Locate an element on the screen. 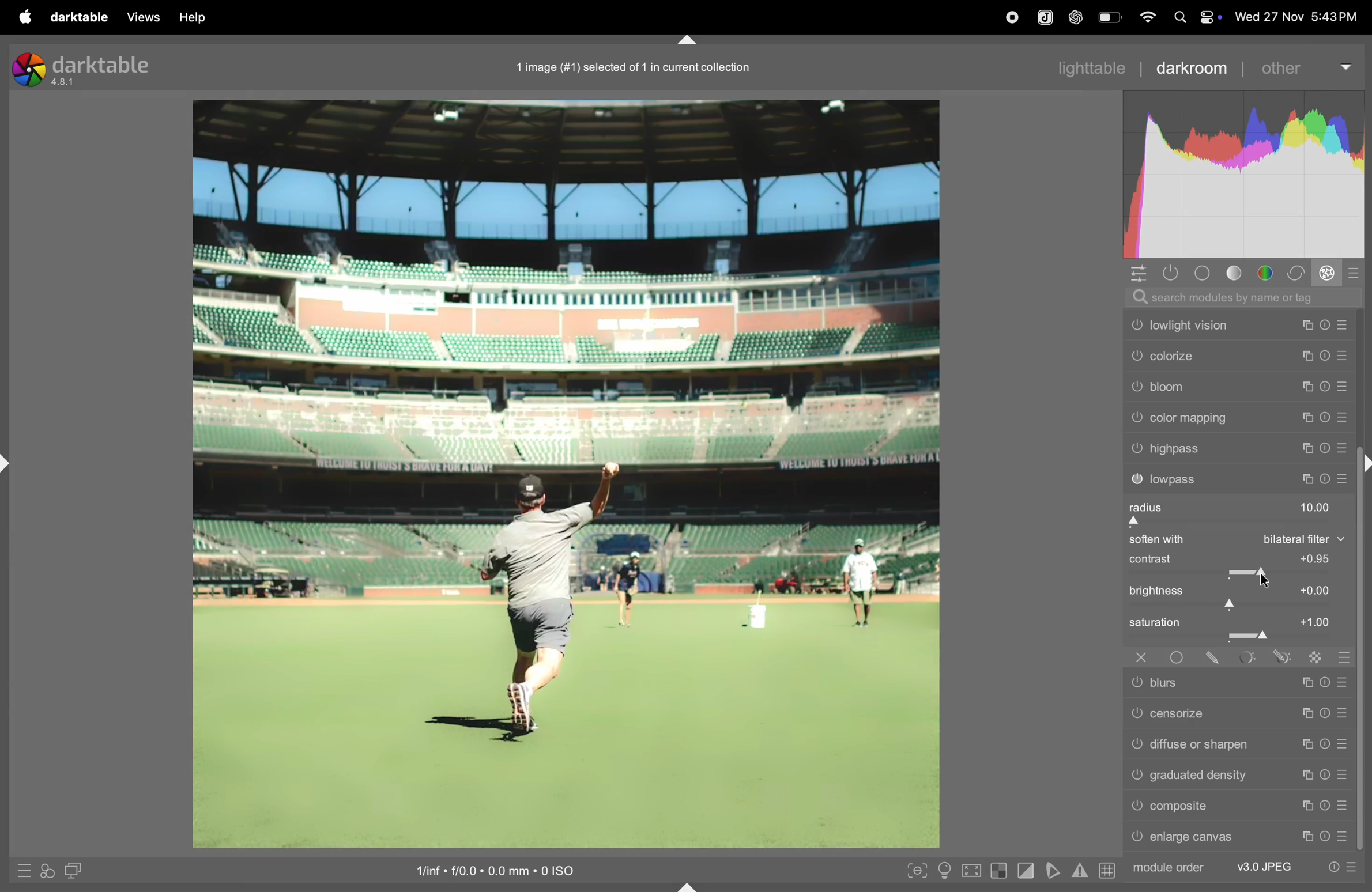  1 image is located at coordinates (634, 67).